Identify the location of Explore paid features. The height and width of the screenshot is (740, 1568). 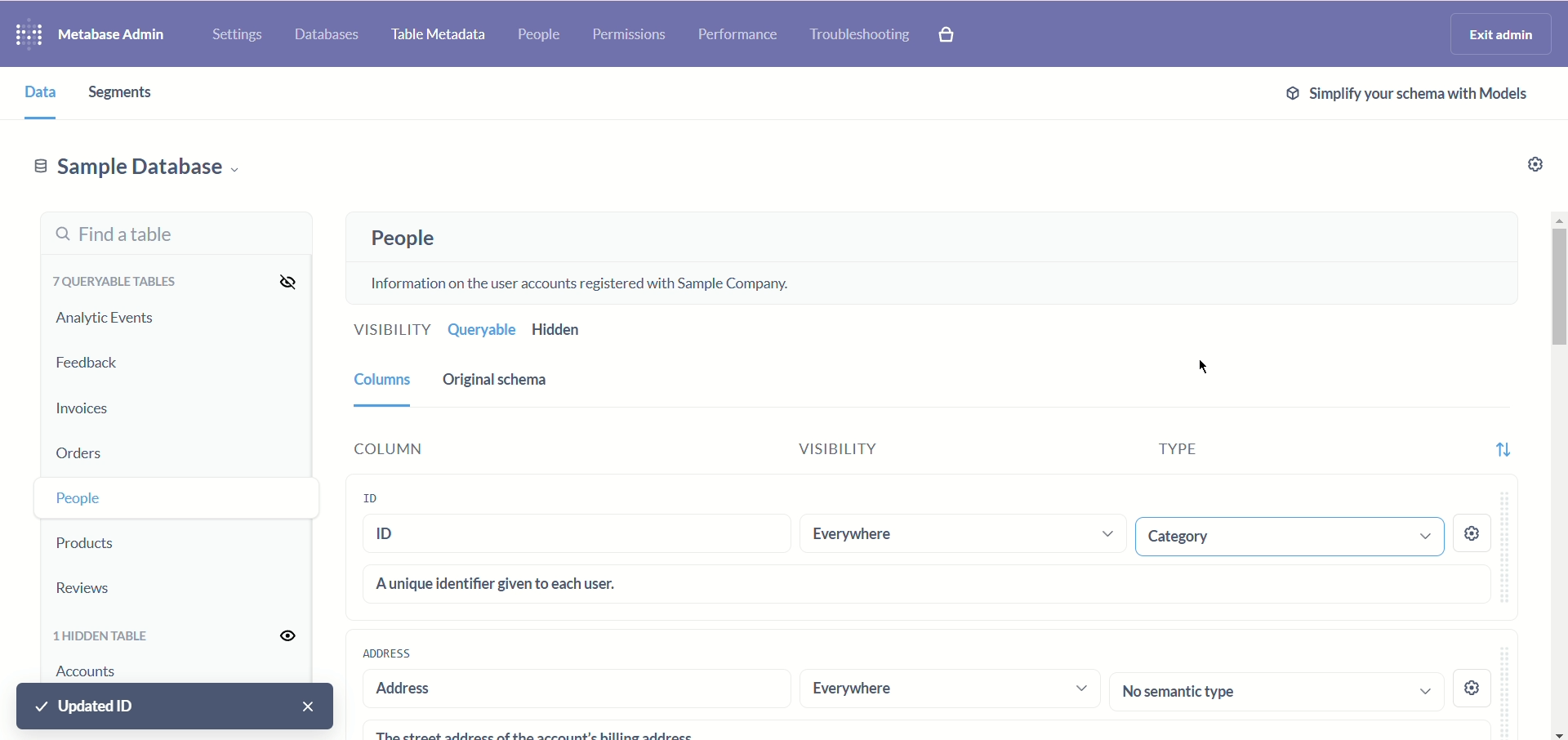
(957, 35).